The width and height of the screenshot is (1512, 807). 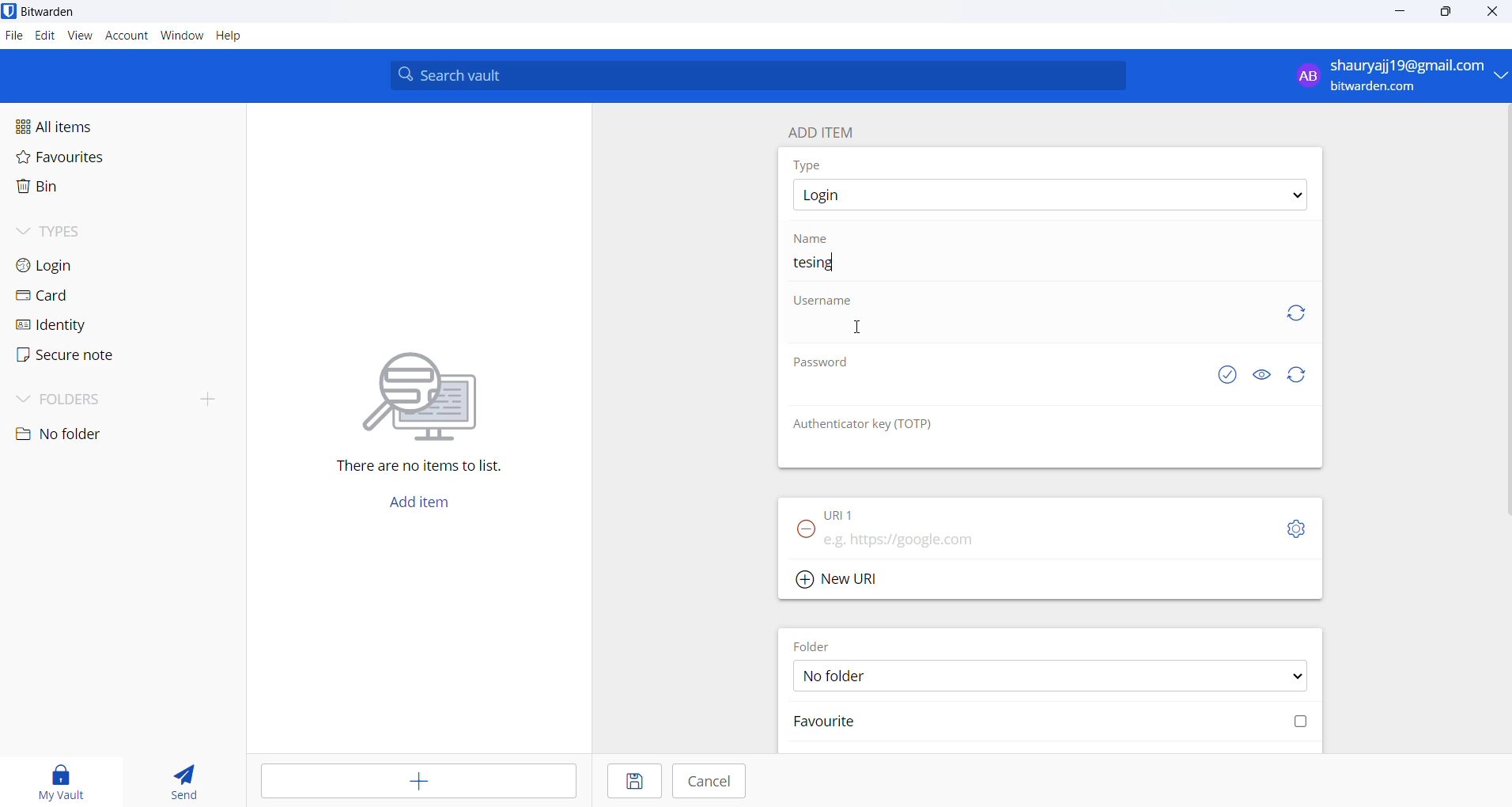 What do you see at coordinates (185, 783) in the screenshot?
I see `send` at bounding box center [185, 783].